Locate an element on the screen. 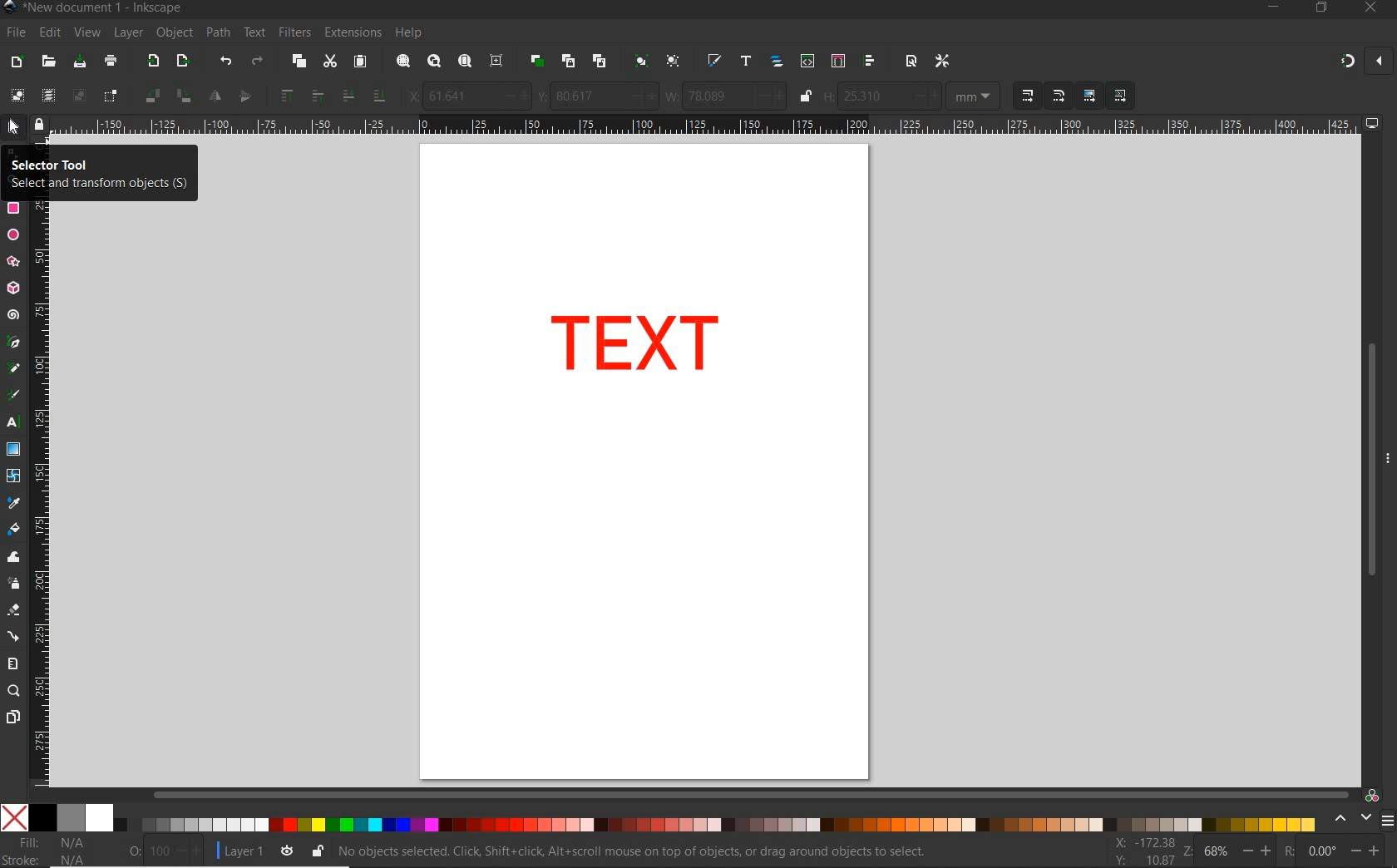 This screenshot has height=868, width=1397. paint bucket tool is located at coordinates (14, 530).